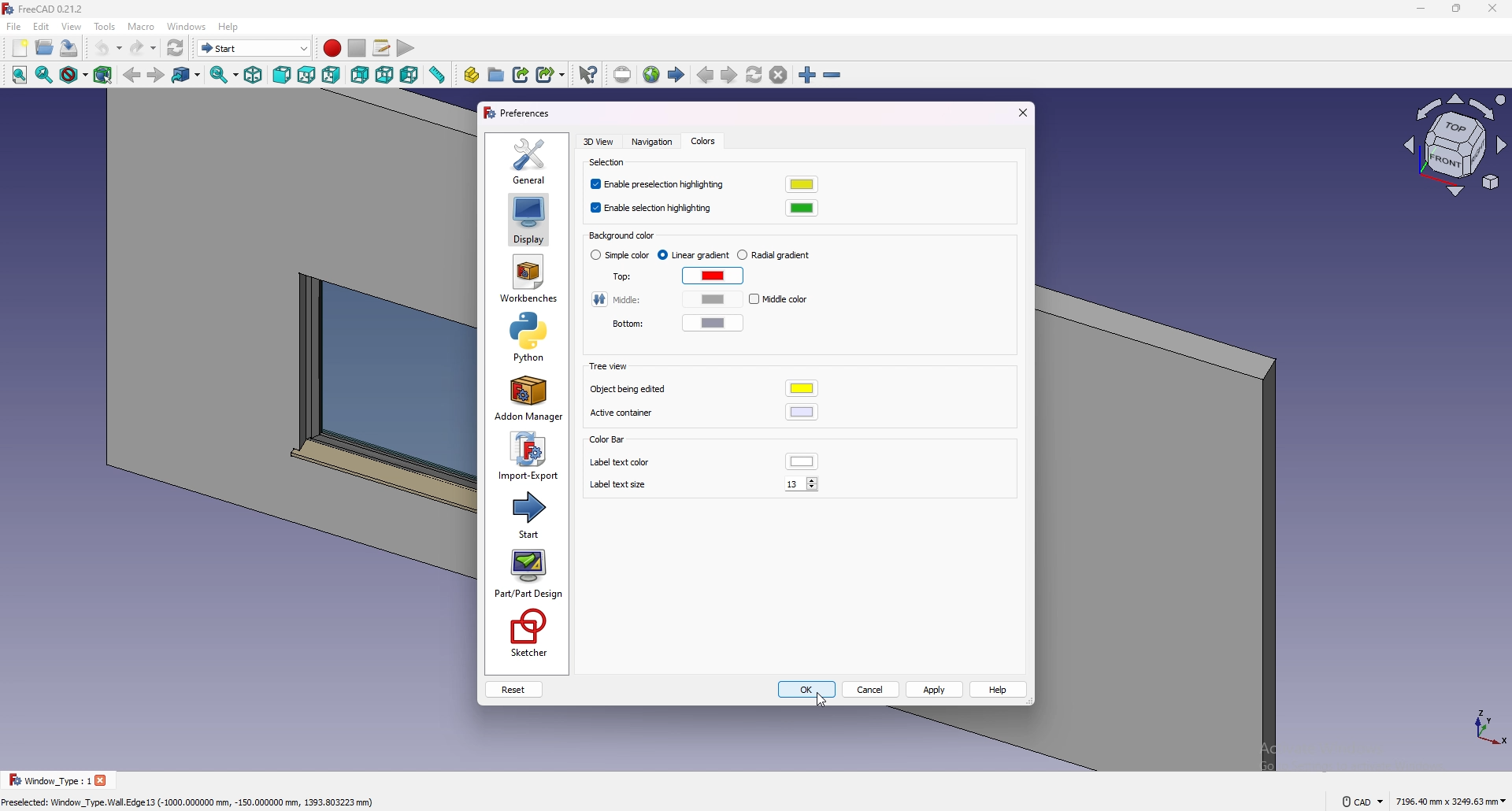  I want to click on new, so click(19, 48).